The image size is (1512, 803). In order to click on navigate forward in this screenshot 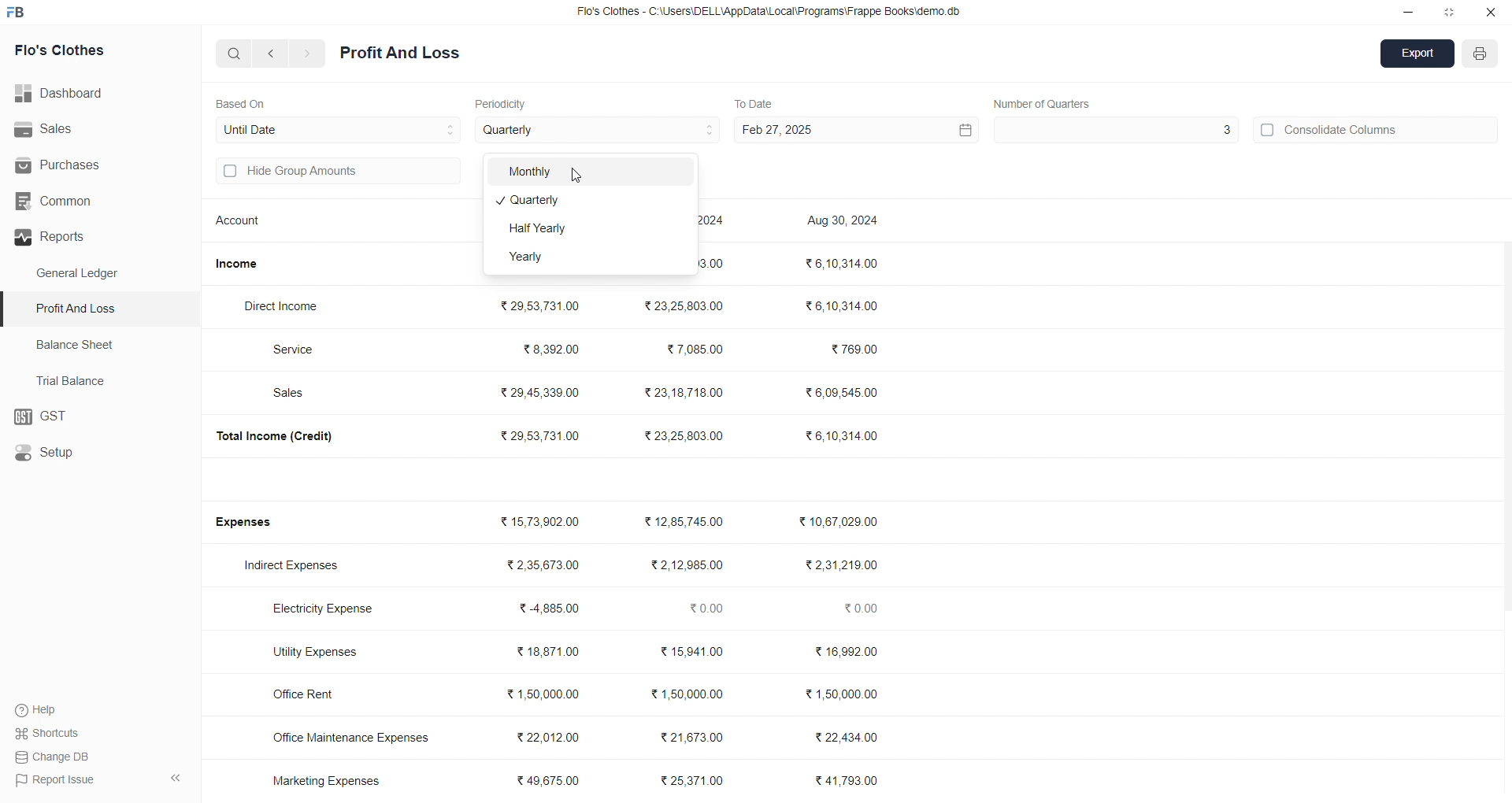, I will do `click(308, 54)`.